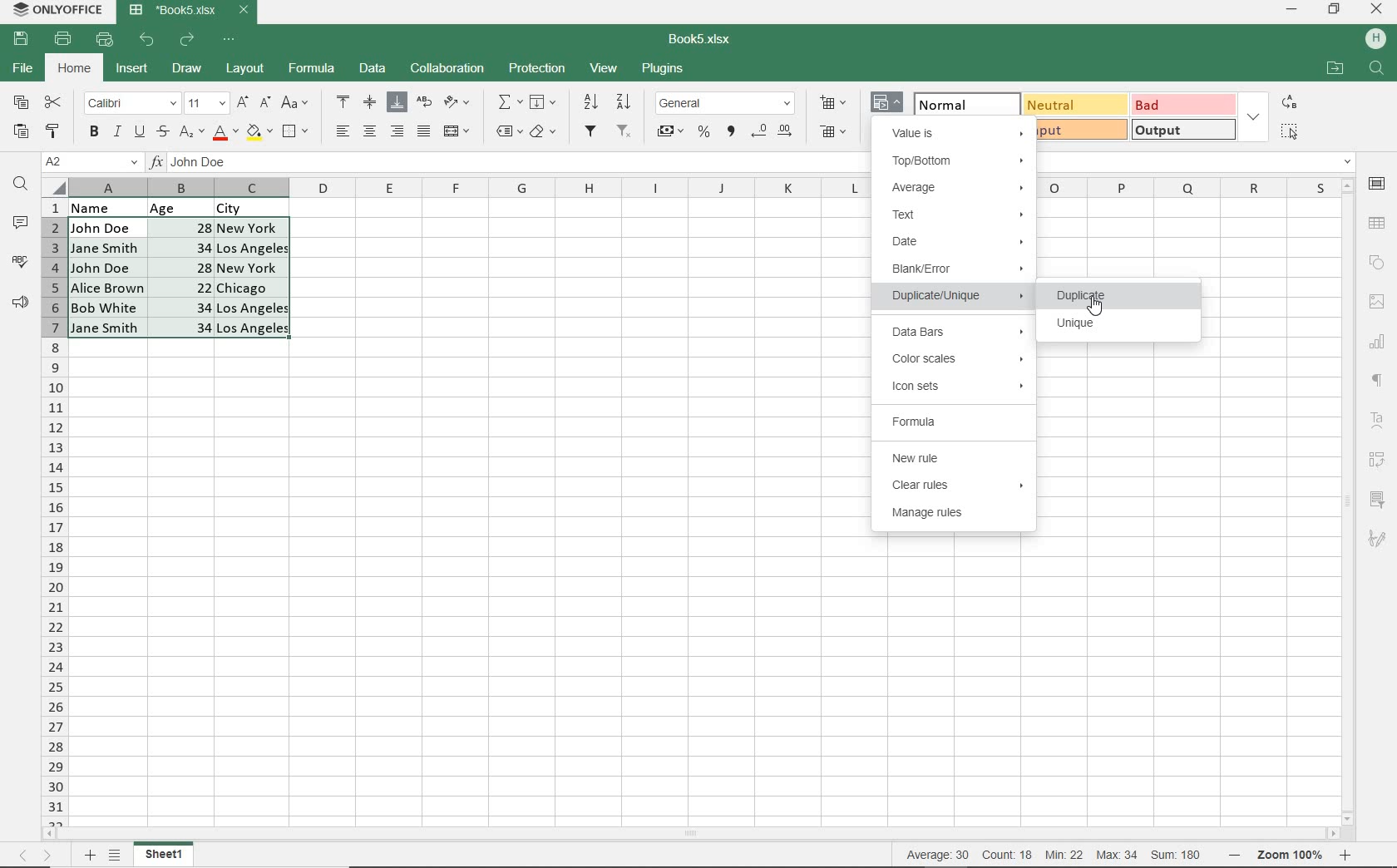  I want to click on COLLABORATION, so click(446, 69).